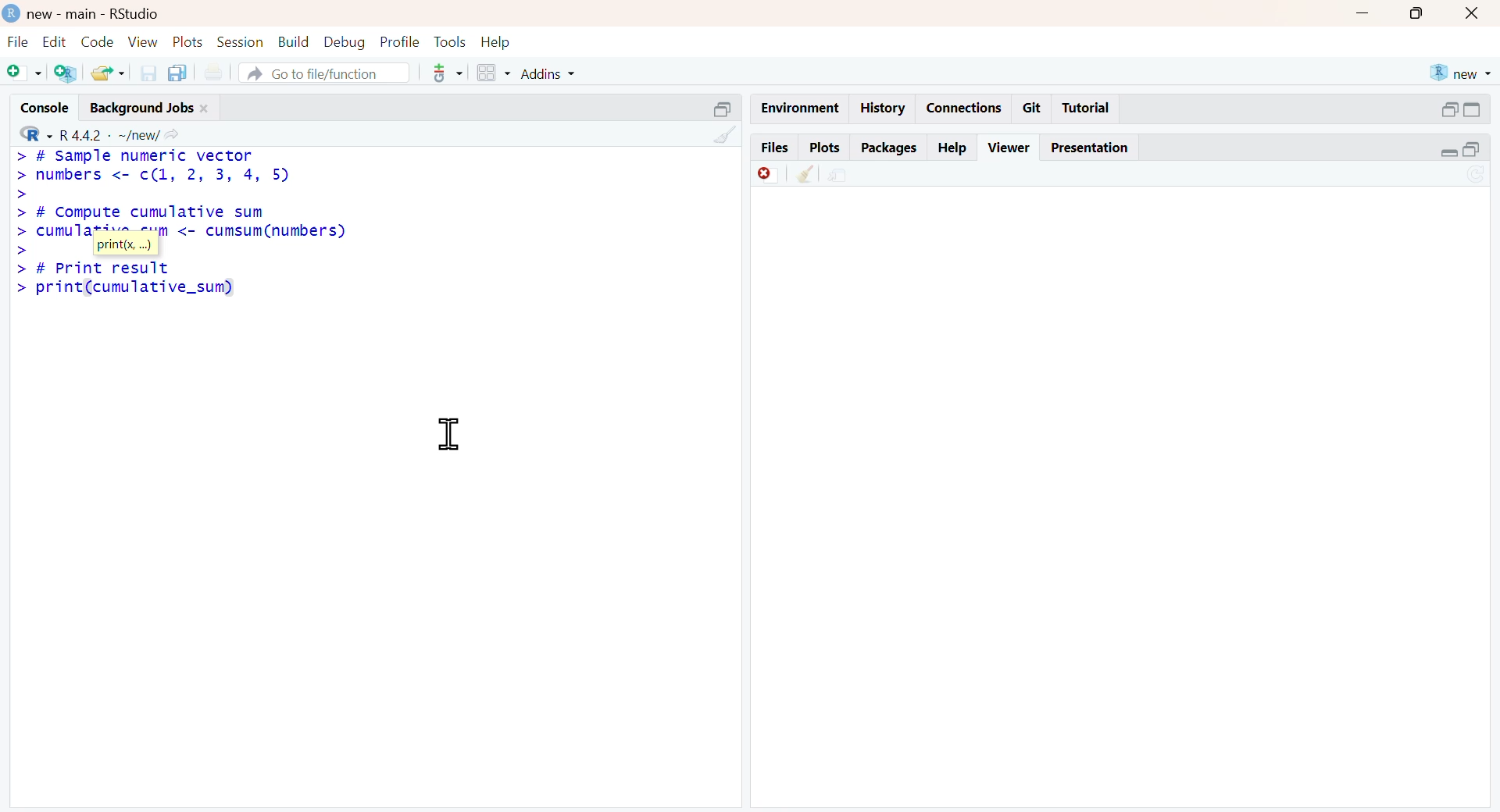  Describe the element at coordinates (800, 109) in the screenshot. I see `Environment` at that location.